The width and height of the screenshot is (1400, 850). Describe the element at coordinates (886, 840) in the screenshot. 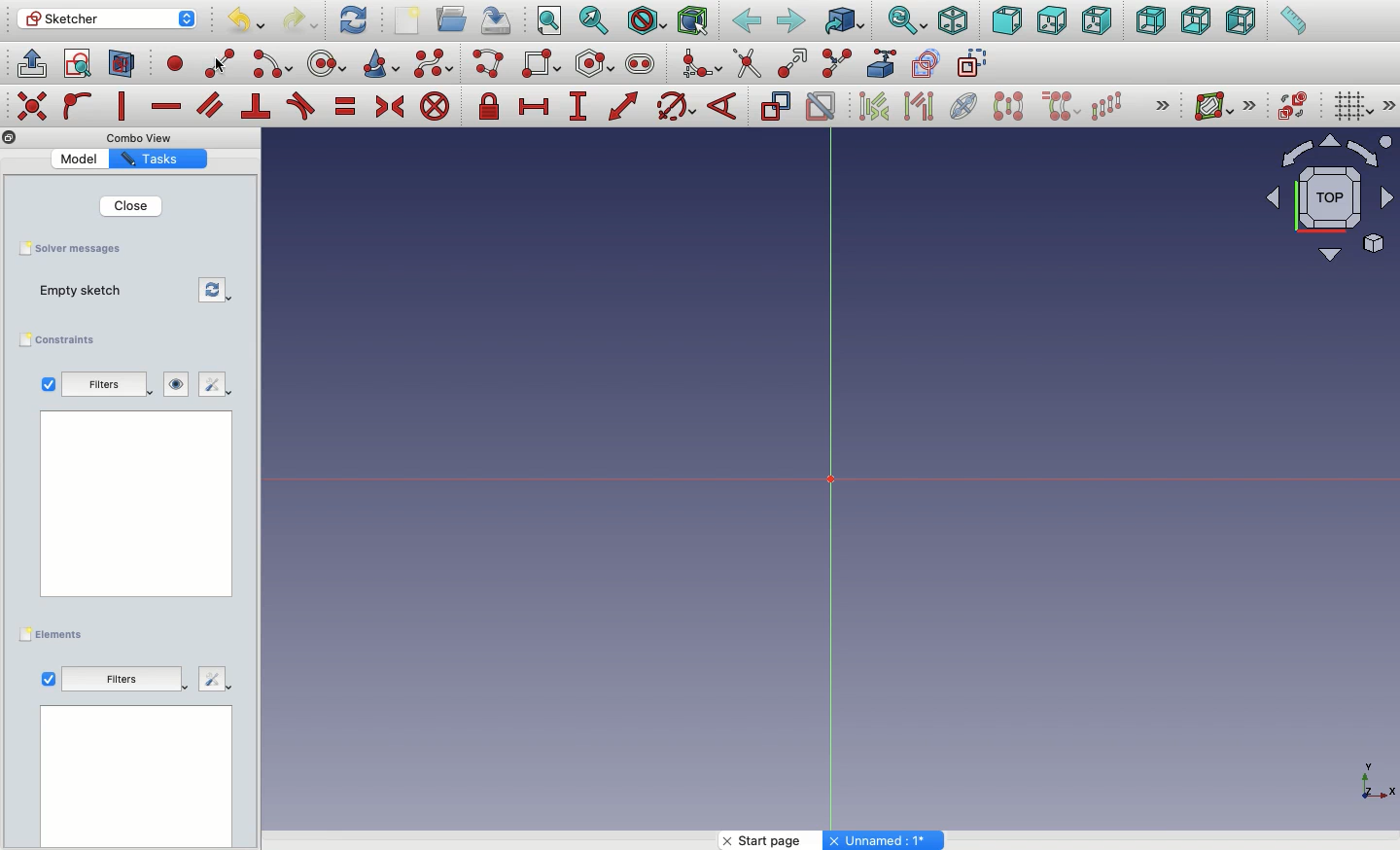

I see `` at that location.